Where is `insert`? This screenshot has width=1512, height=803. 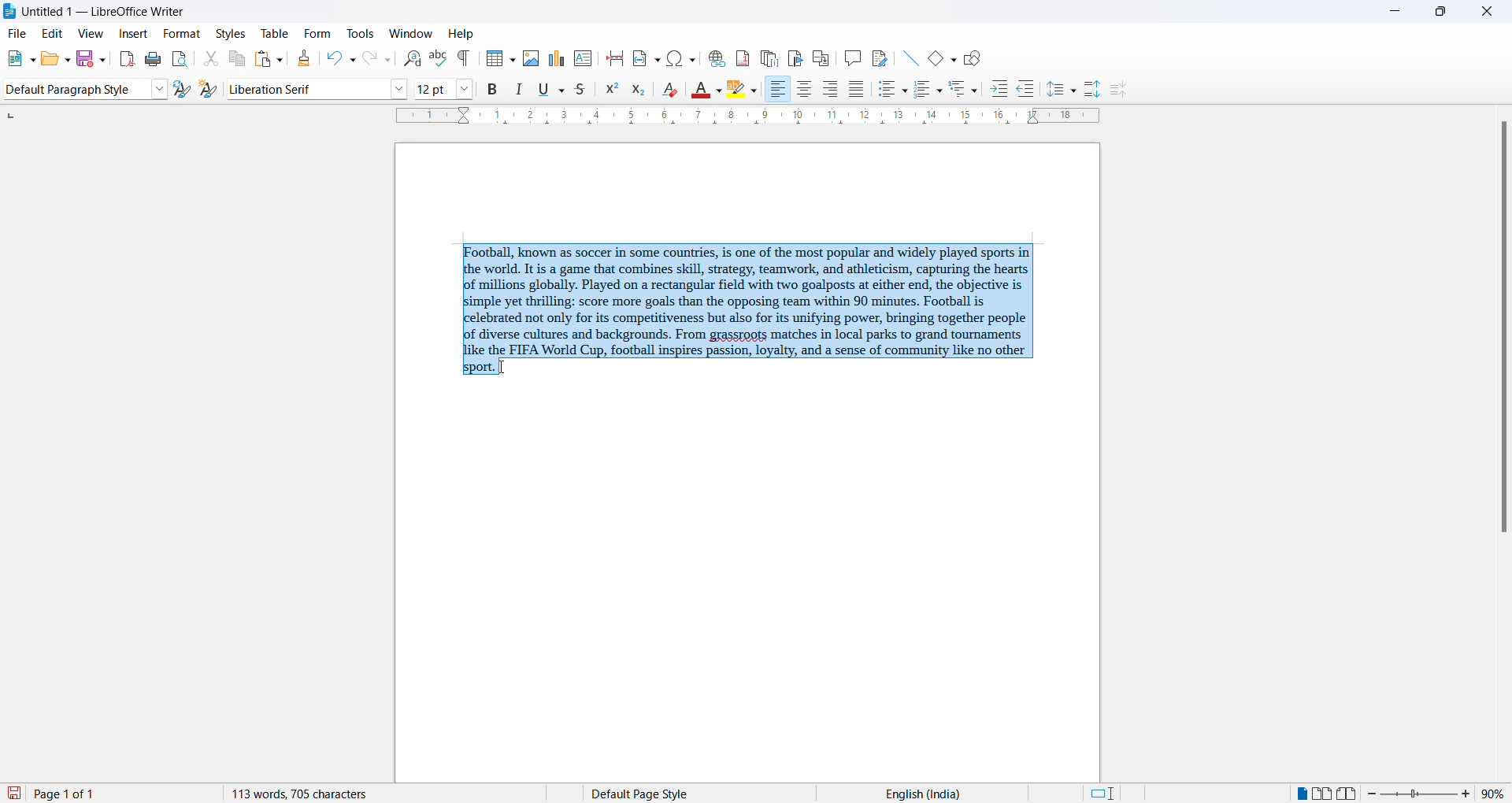
insert is located at coordinates (132, 35).